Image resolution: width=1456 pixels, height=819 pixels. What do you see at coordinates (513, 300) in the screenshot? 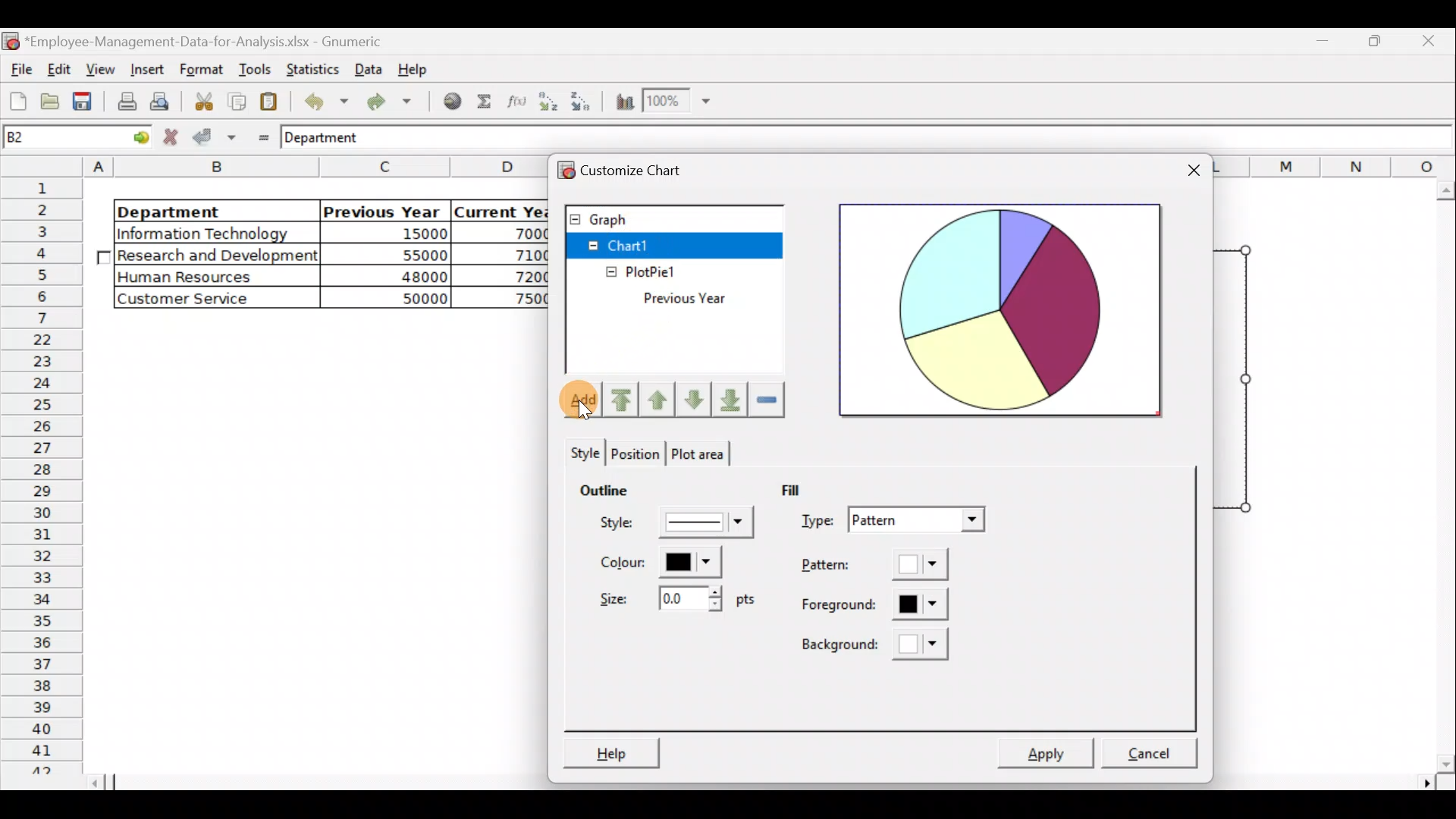
I see `75000` at bounding box center [513, 300].